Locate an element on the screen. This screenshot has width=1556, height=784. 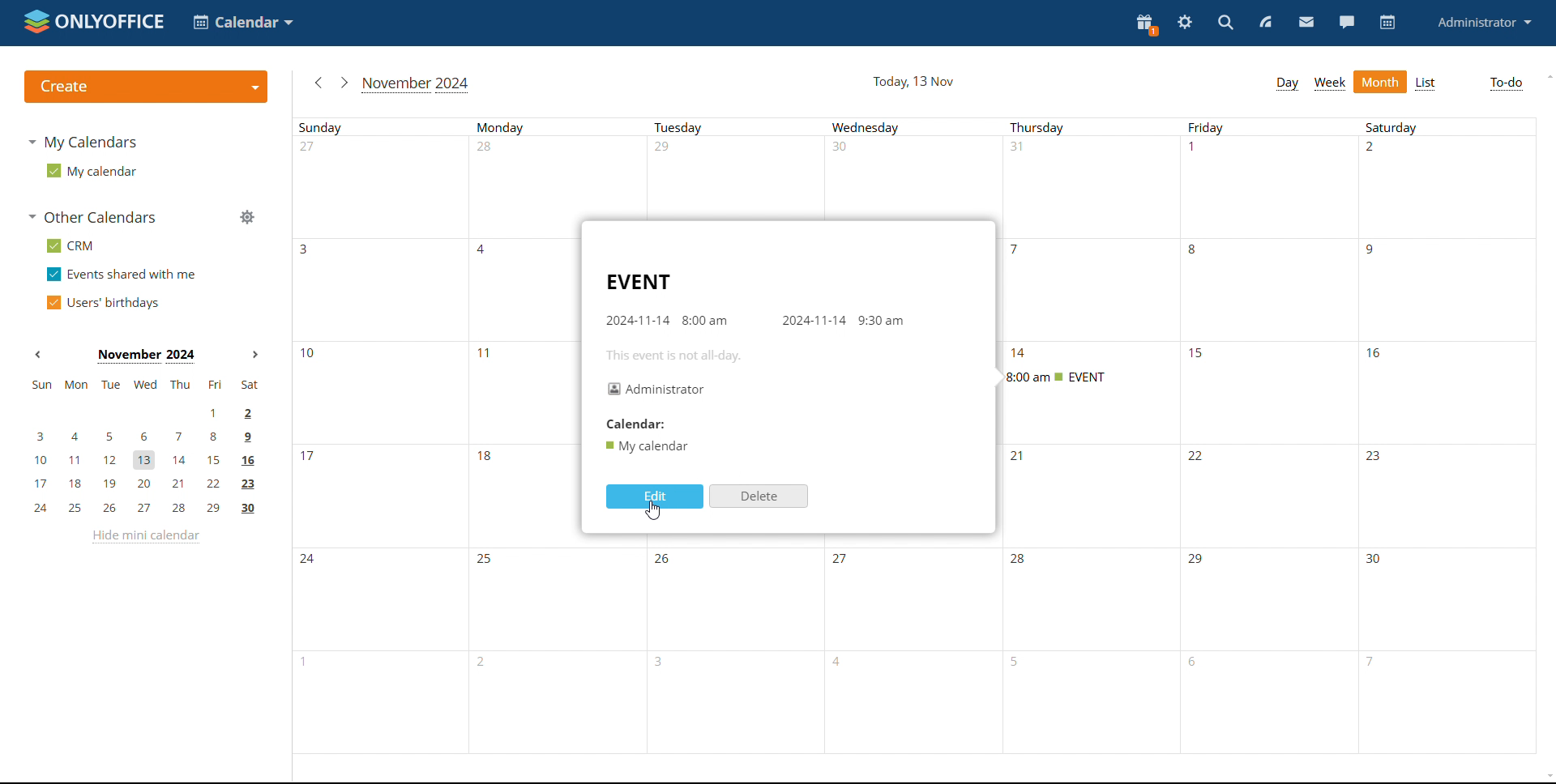
current month is located at coordinates (146, 355).